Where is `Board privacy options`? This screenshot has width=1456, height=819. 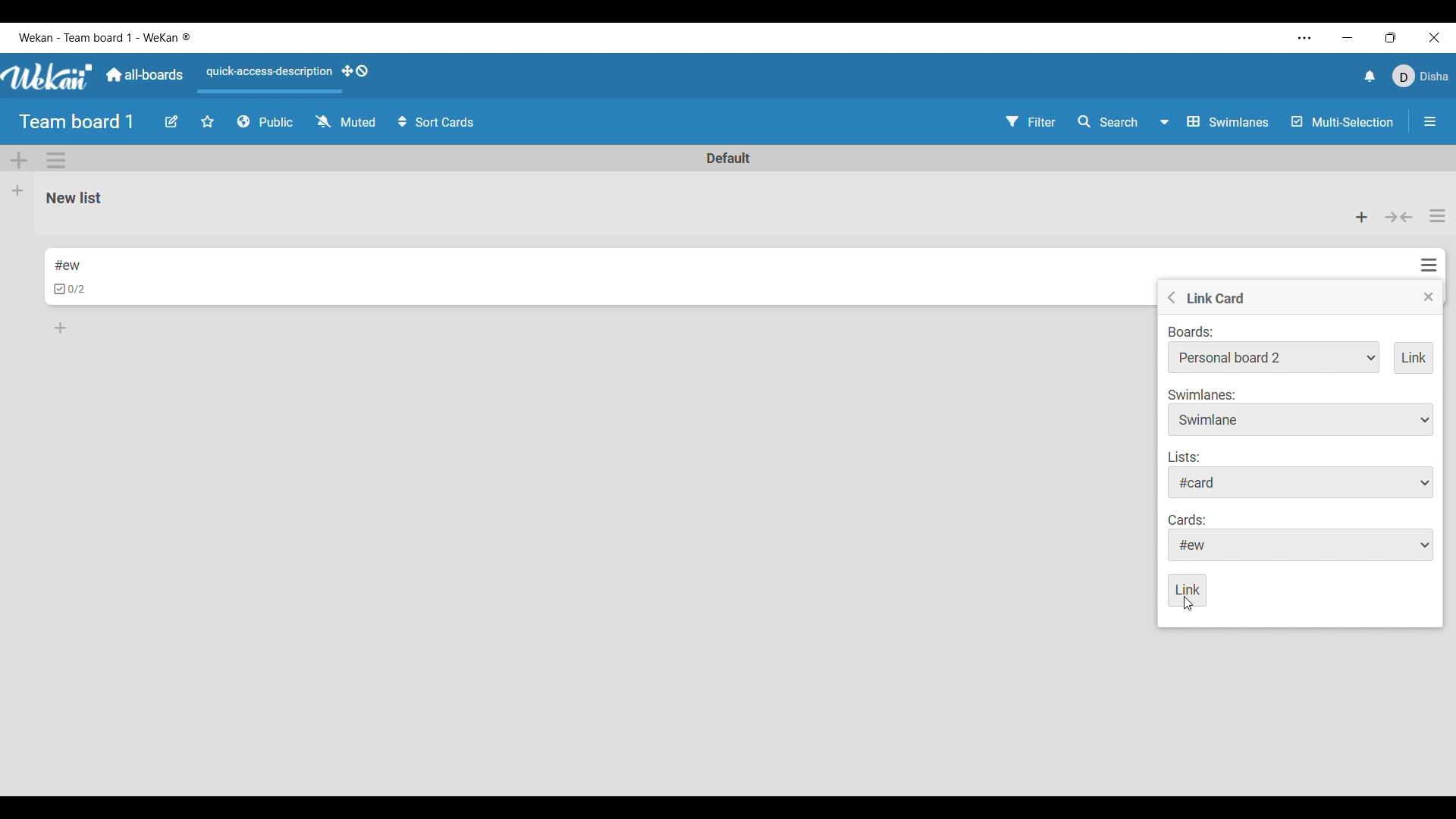 Board privacy options is located at coordinates (265, 122).